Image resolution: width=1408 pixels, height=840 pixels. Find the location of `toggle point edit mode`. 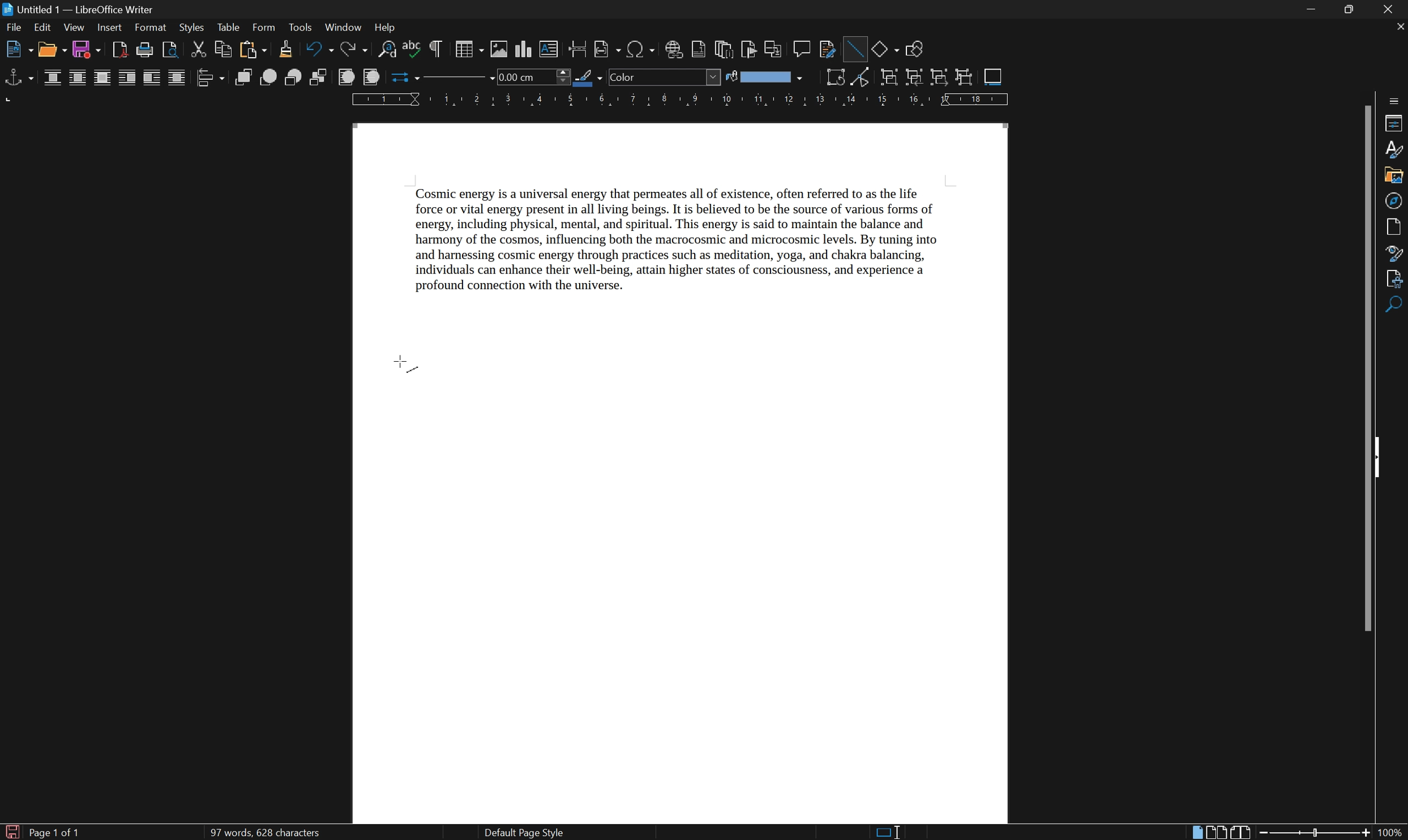

toggle point edit mode is located at coordinates (865, 79).